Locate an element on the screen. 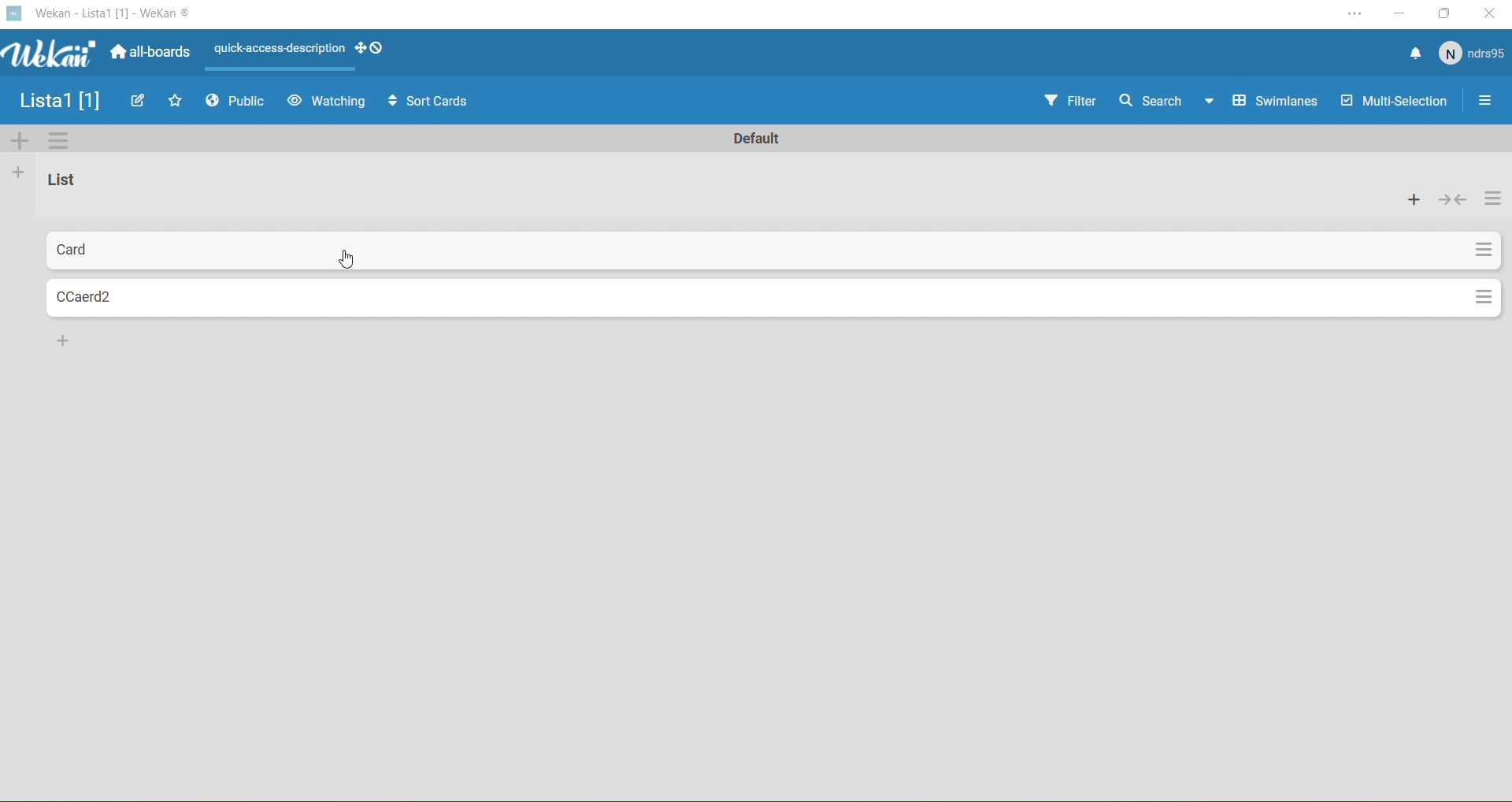 The height and width of the screenshot is (802, 1512). Search is located at coordinates (1150, 100).